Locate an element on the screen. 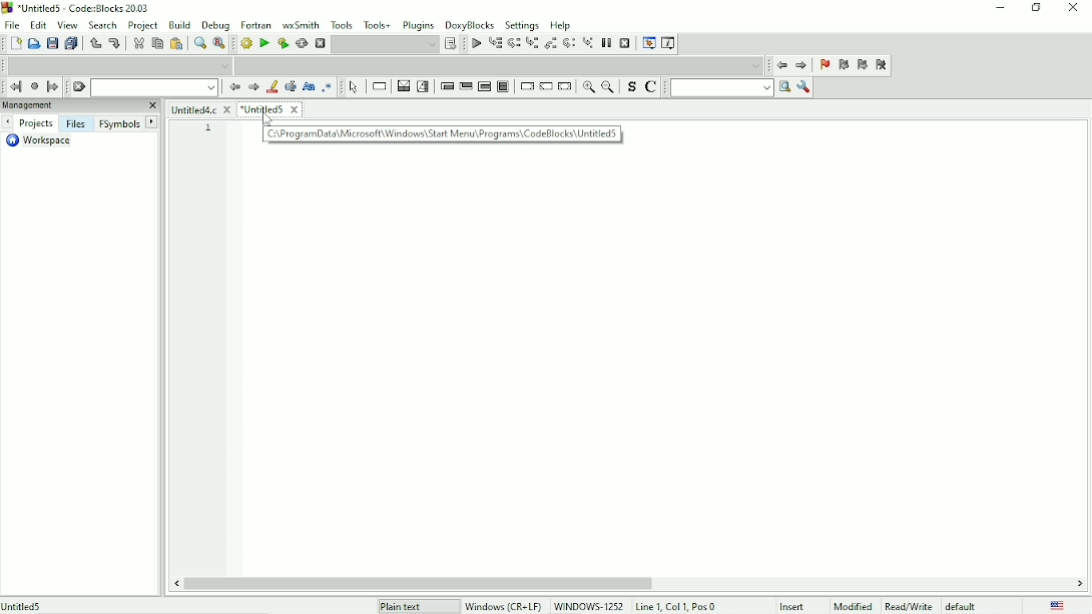 This screenshot has width=1092, height=614. Decision is located at coordinates (403, 87).